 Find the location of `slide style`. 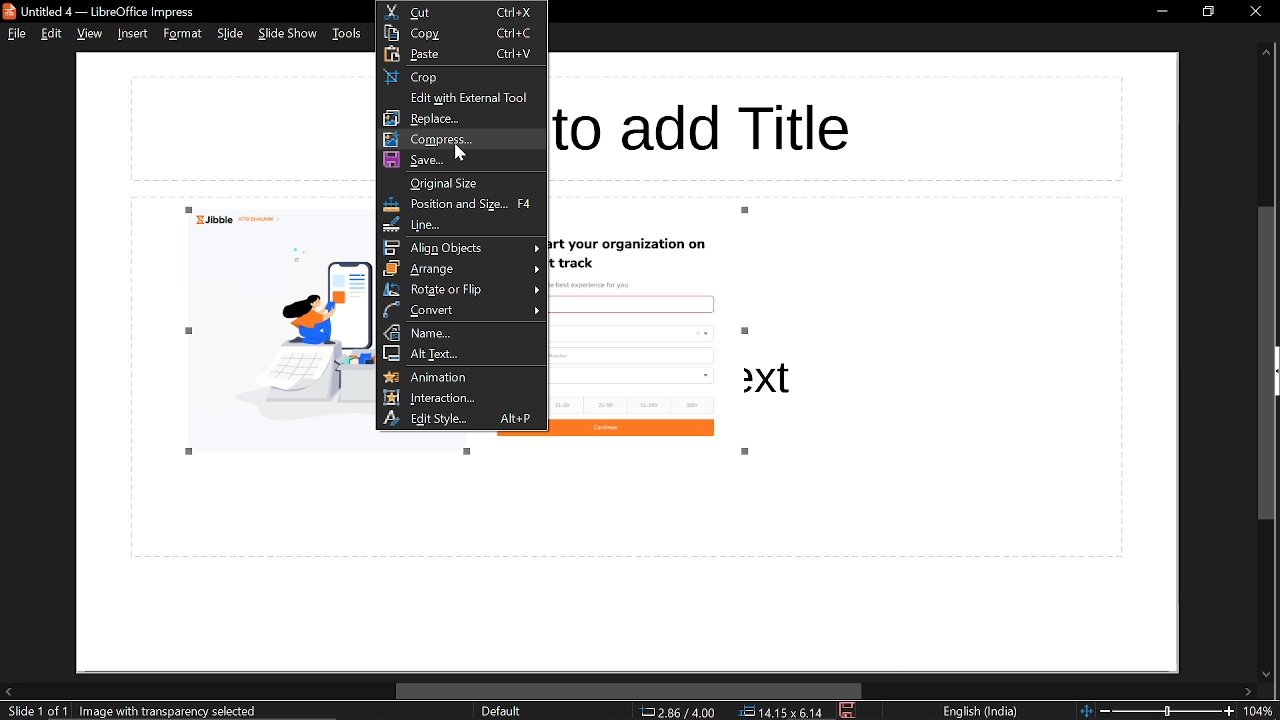

slide style is located at coordinates (501, 711).